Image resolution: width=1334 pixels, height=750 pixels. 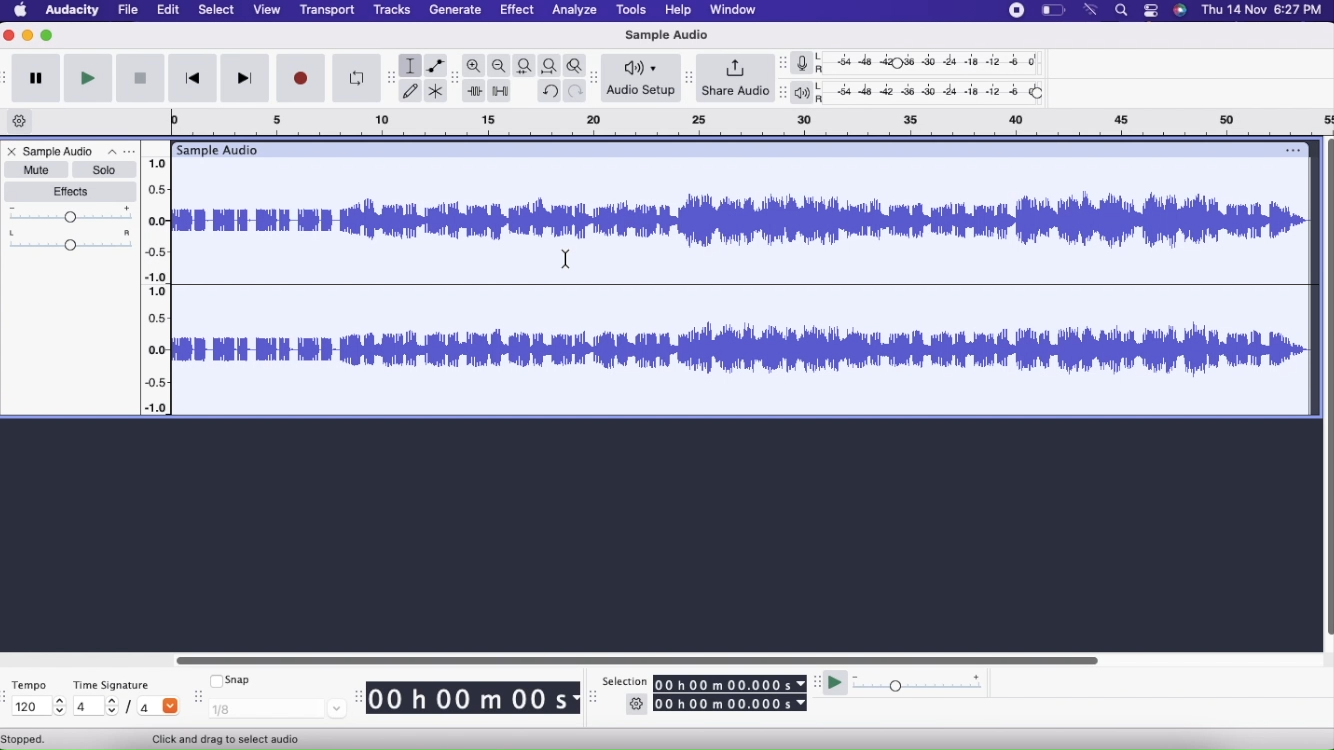 What do you see at coordinates (1051, 11) in the screenshot?
I see `Battery` at bounding box center [1051, 11].